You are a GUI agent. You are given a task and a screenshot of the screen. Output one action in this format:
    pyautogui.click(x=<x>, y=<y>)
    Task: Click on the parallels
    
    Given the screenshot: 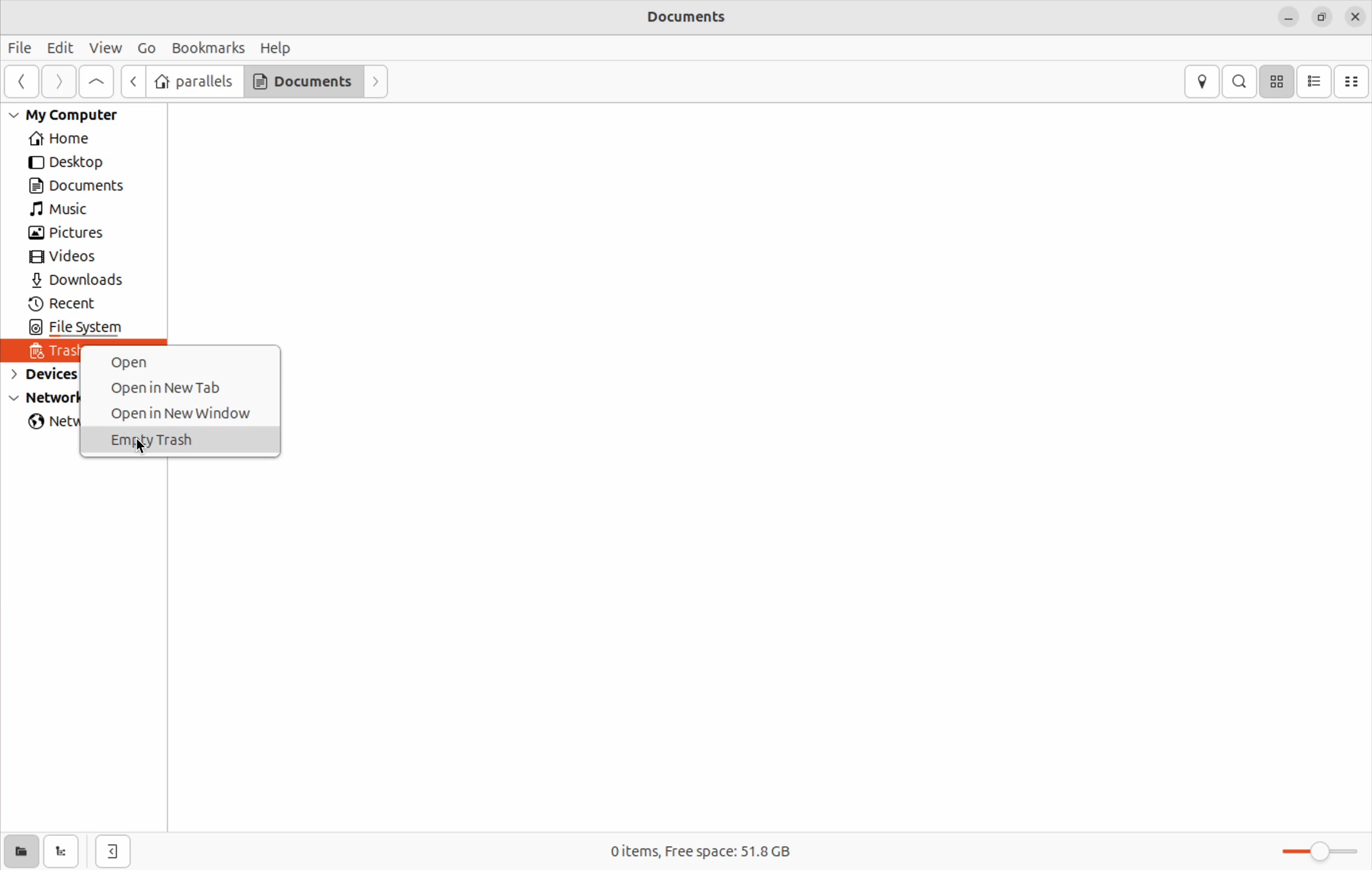 What is the action you would take?
    pyautogui.click(x=193, y=81)
    